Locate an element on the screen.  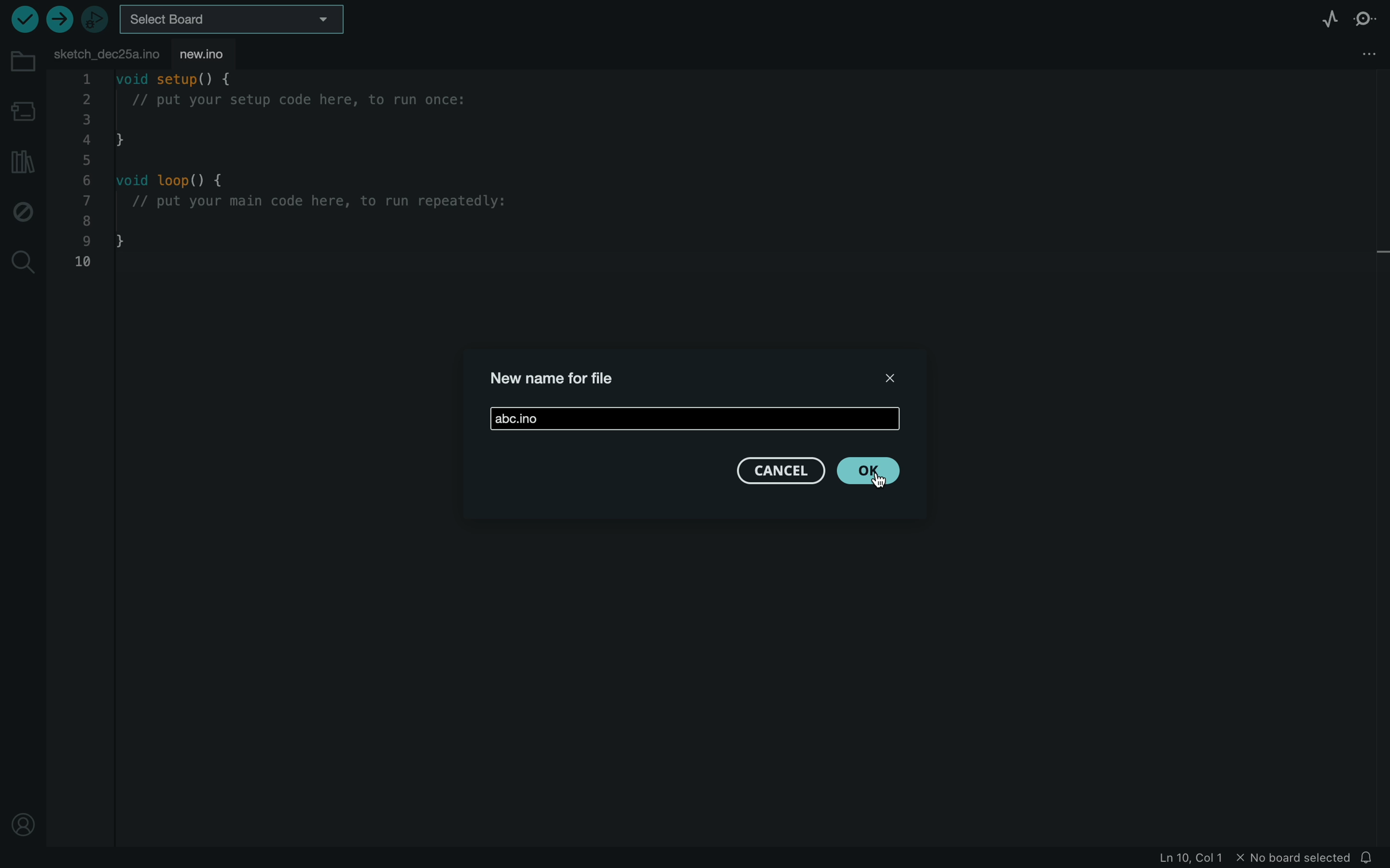
debug is located at coordinates (23, 212).